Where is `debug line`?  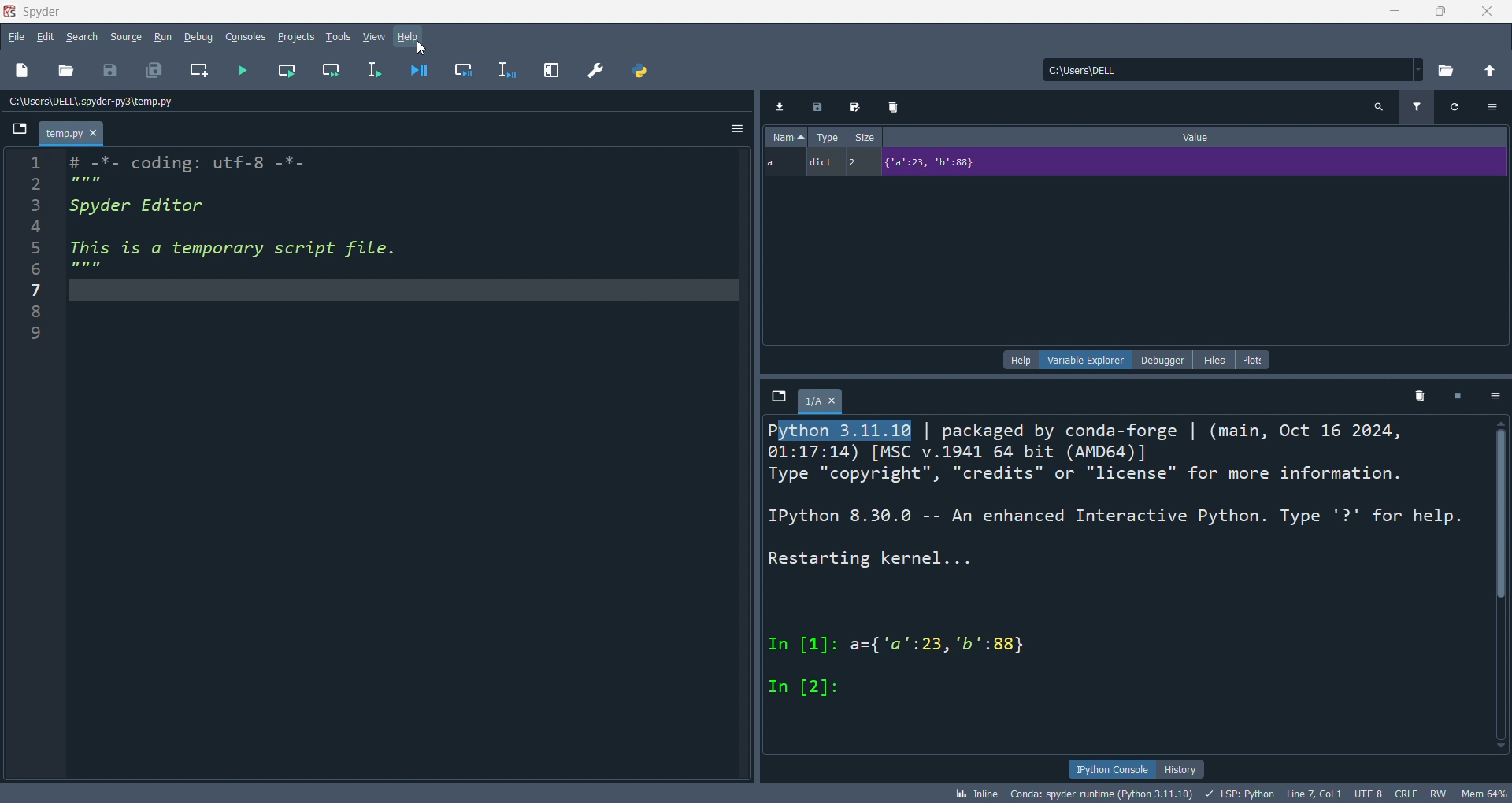 debug line is located at coordinates (508, 70).